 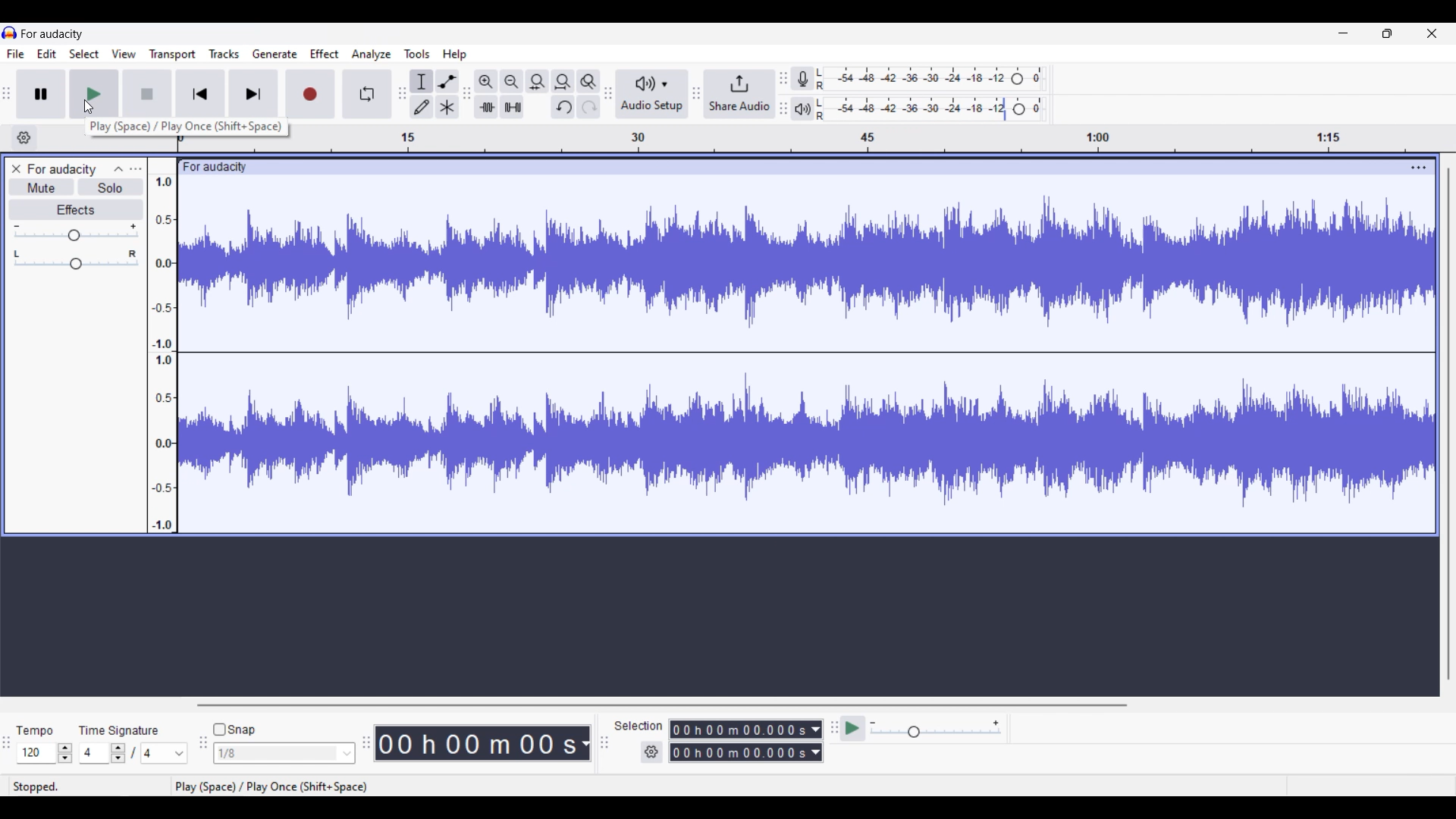 I want to click on Skip/Select to end, so click(x=253, y=94).